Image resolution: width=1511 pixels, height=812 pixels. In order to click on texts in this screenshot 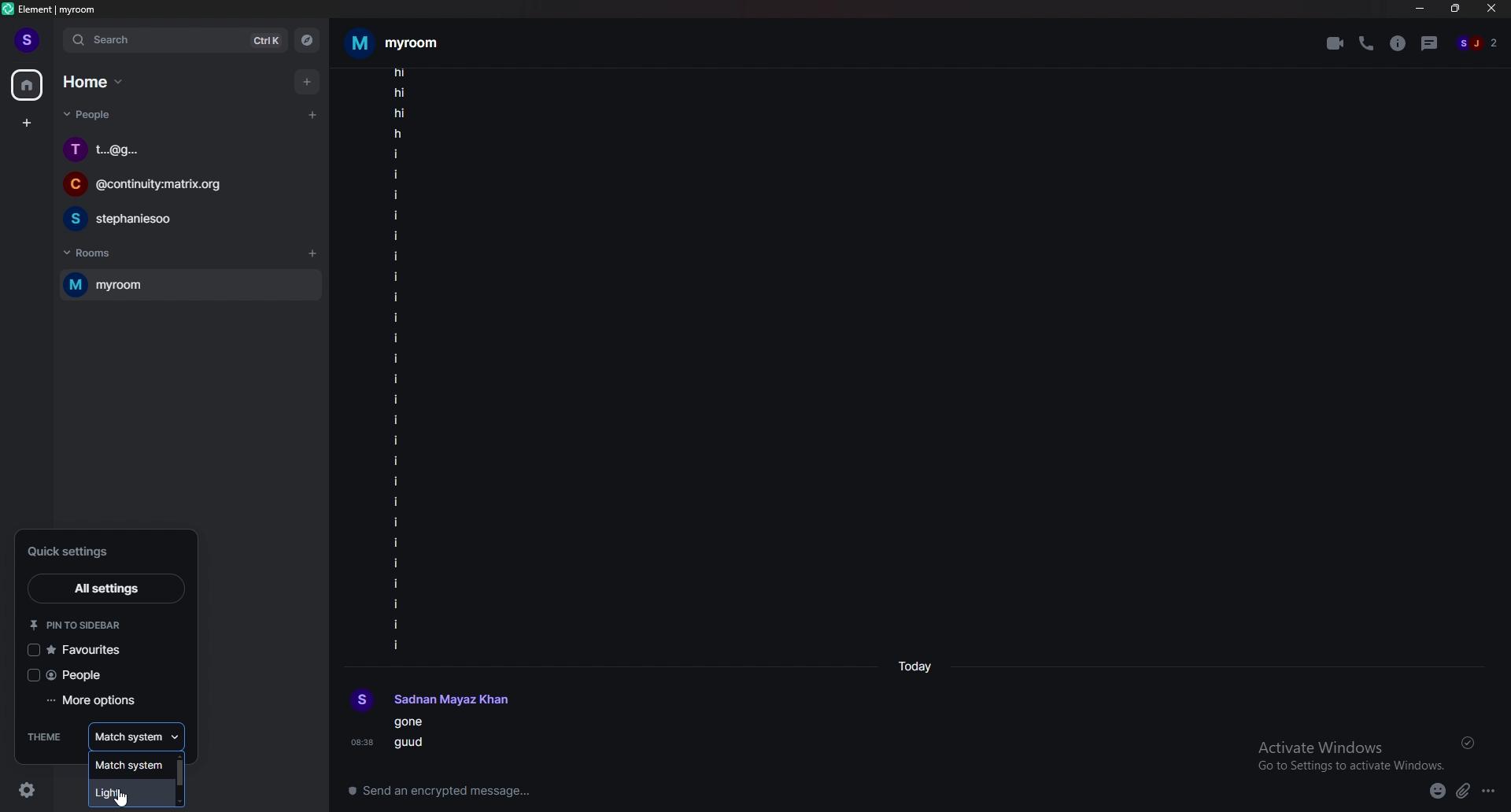, I will do `click(416, 736)`.